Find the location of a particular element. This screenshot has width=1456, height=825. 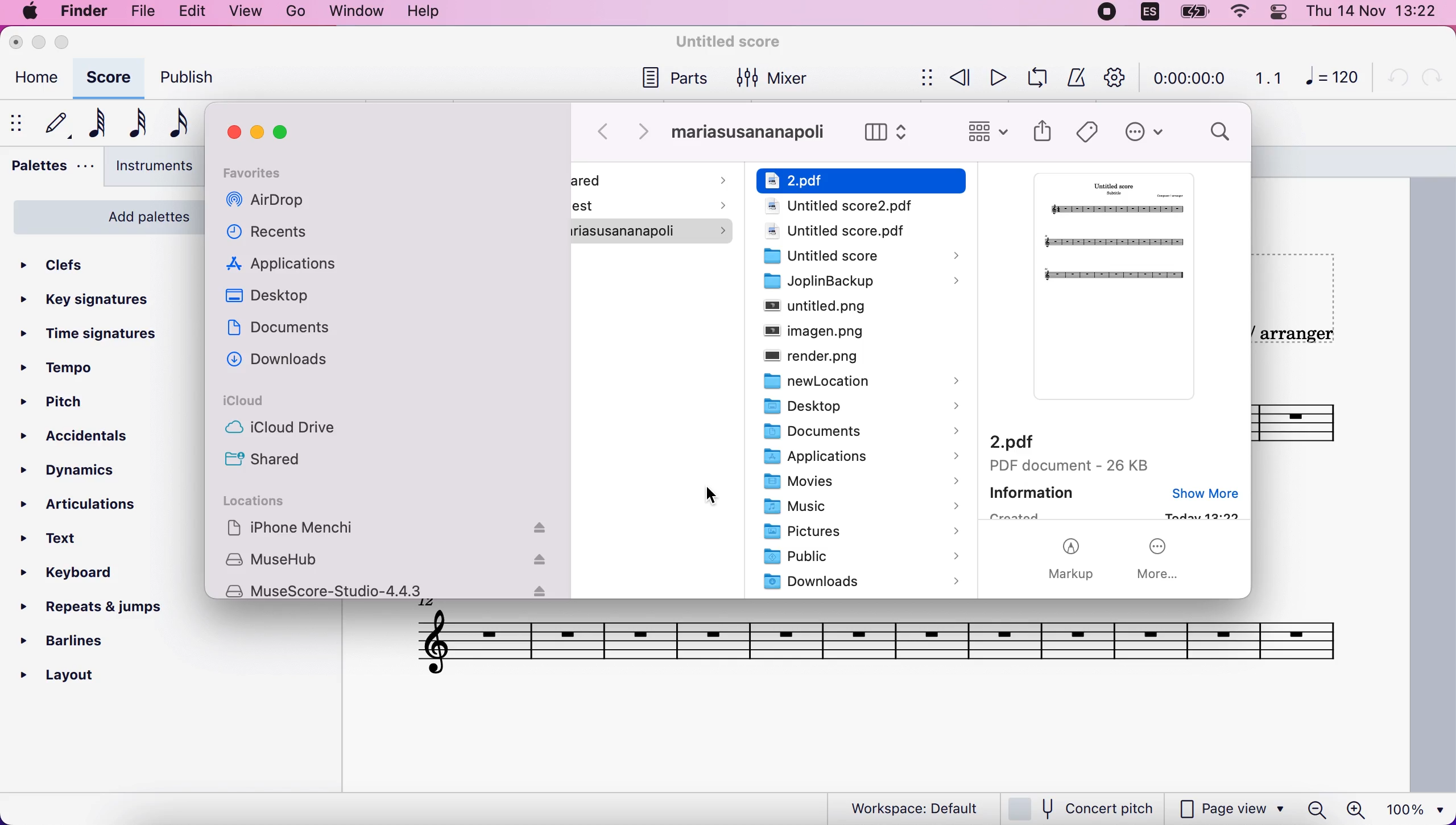

close is located at coordinates (18, 43).